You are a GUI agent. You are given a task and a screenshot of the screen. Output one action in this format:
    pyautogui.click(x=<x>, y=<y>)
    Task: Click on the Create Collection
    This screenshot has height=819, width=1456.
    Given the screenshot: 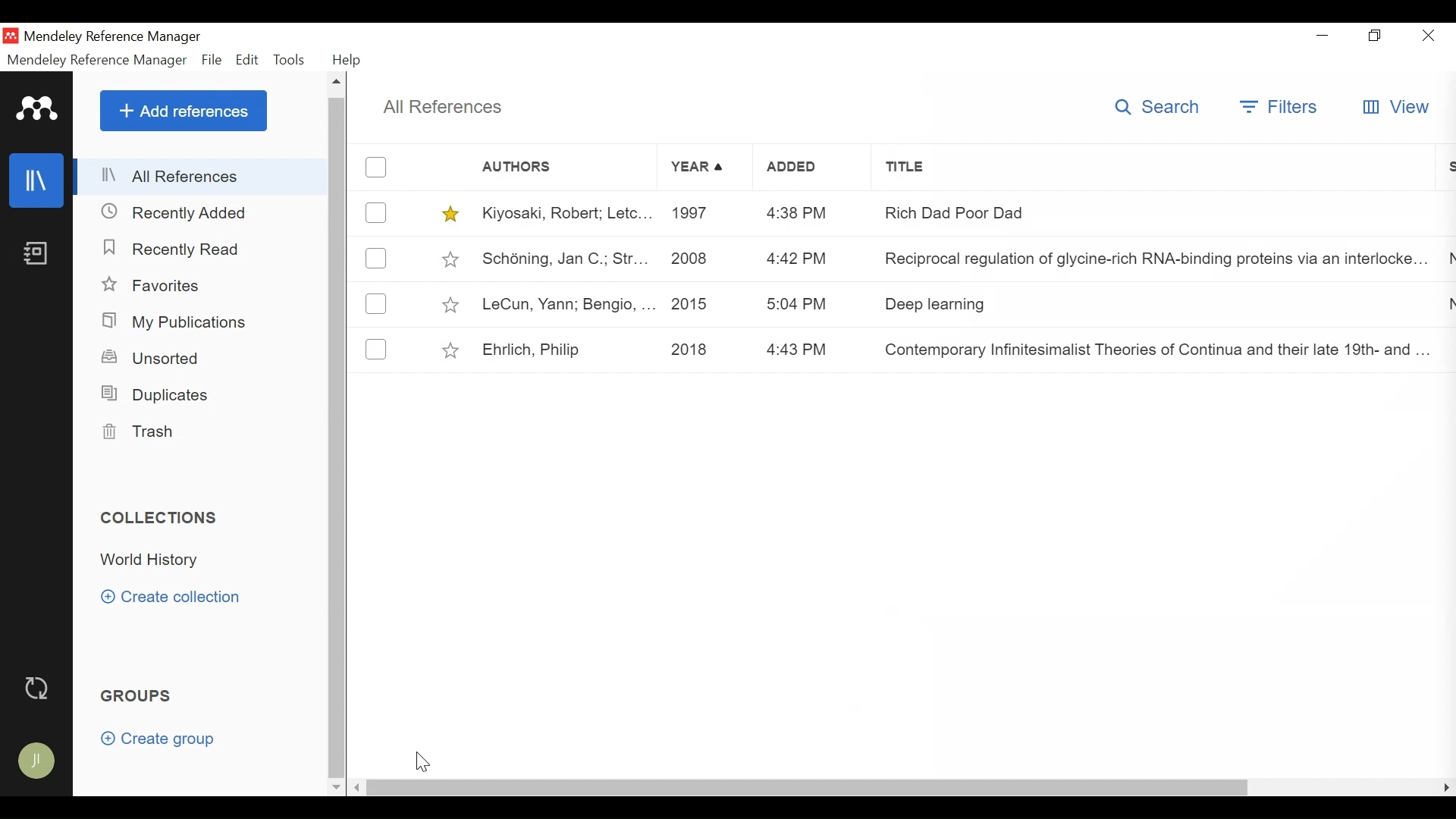 What is the action you would take?
    pyautogui.click(x=171, y=598)
    